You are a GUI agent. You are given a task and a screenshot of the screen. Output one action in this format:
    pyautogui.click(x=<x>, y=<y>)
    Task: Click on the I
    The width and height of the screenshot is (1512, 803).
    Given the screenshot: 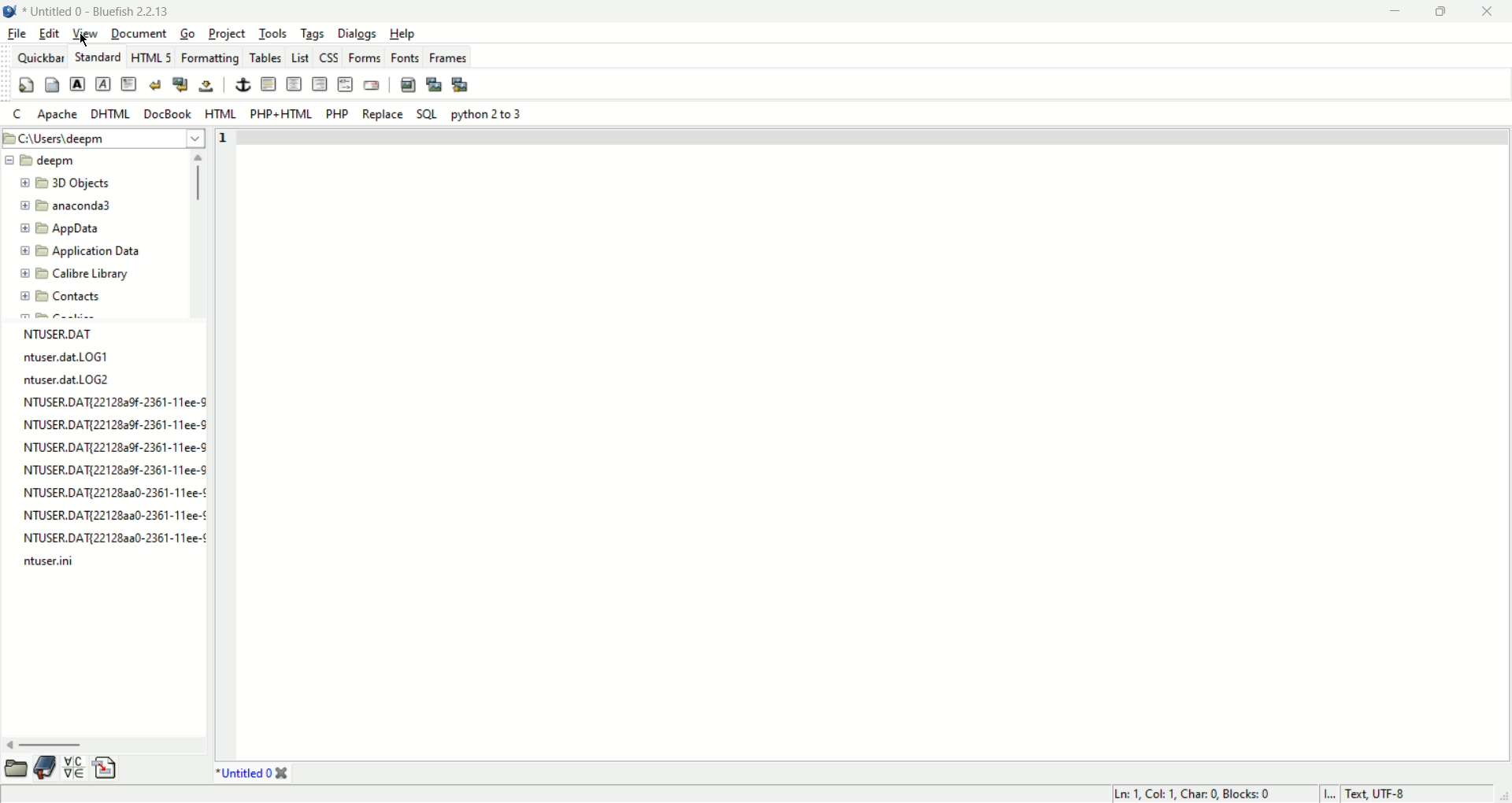 What is the action you would take?
    pyautogui.click(x=1332, y=794)
    